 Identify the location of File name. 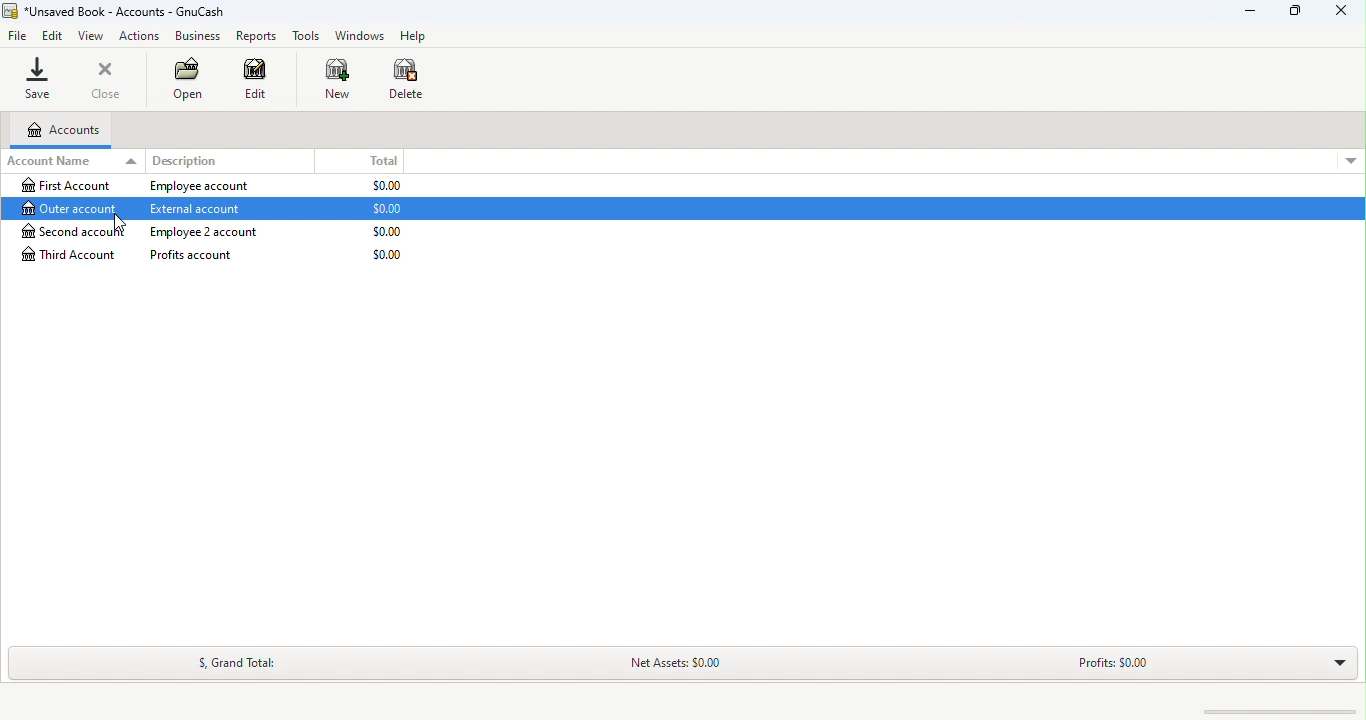
(116, 11).